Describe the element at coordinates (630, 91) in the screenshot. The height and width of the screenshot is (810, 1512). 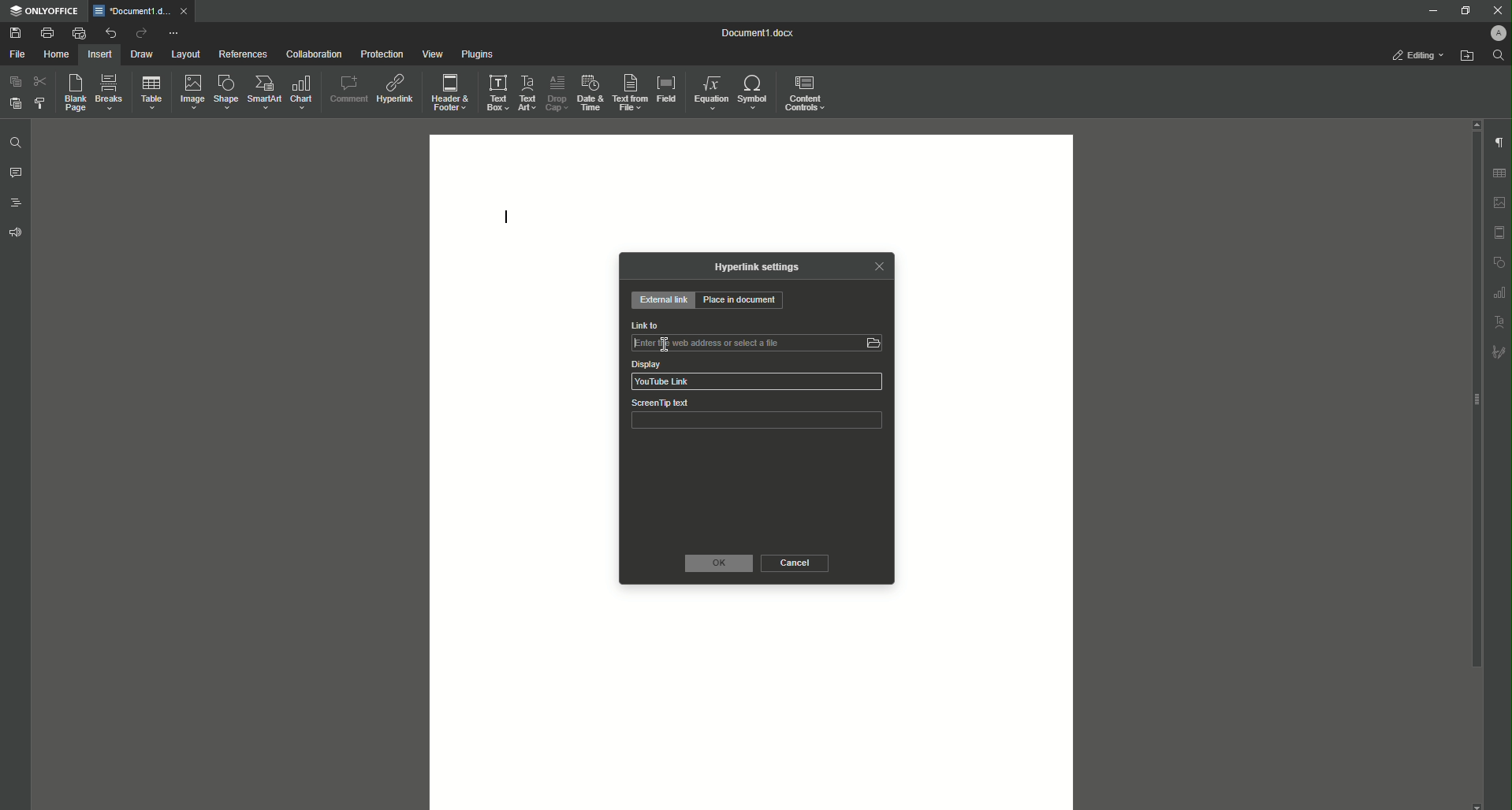
I see `Text From File` at that location.